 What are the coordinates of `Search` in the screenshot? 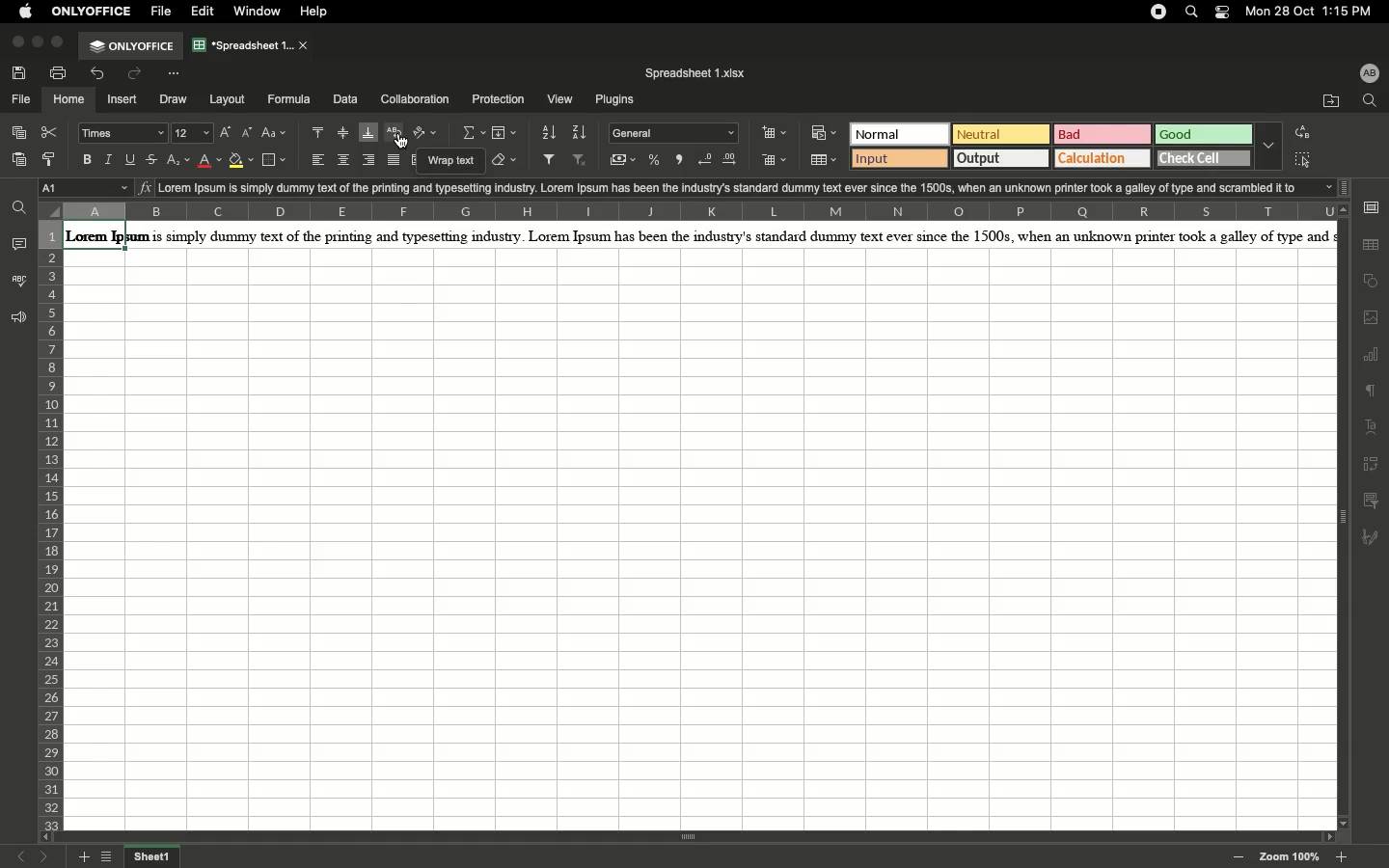 It's located at (1372, 101).